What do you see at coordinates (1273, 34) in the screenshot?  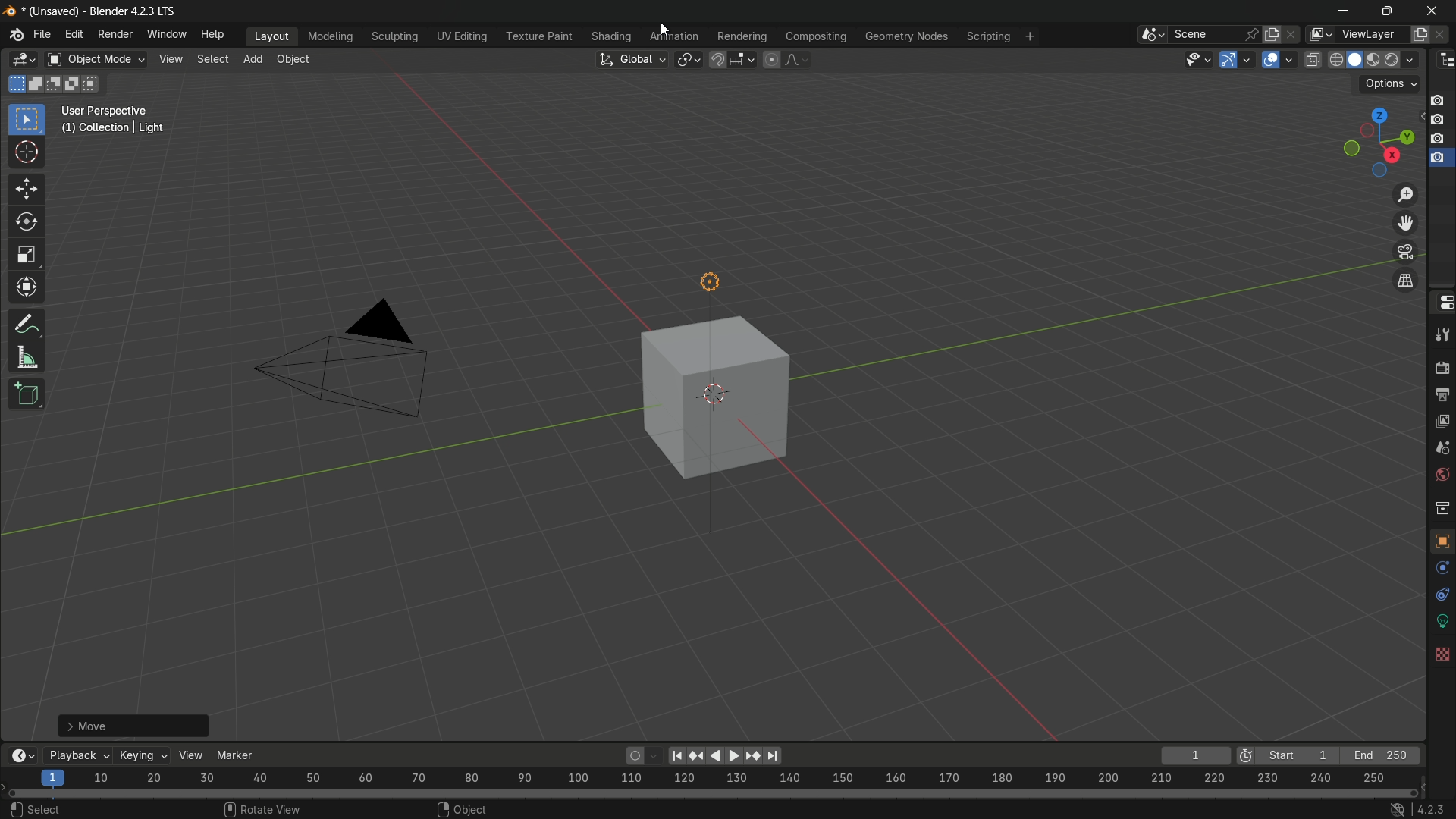 I see `add new scene` at bounding box center [1273, 34].